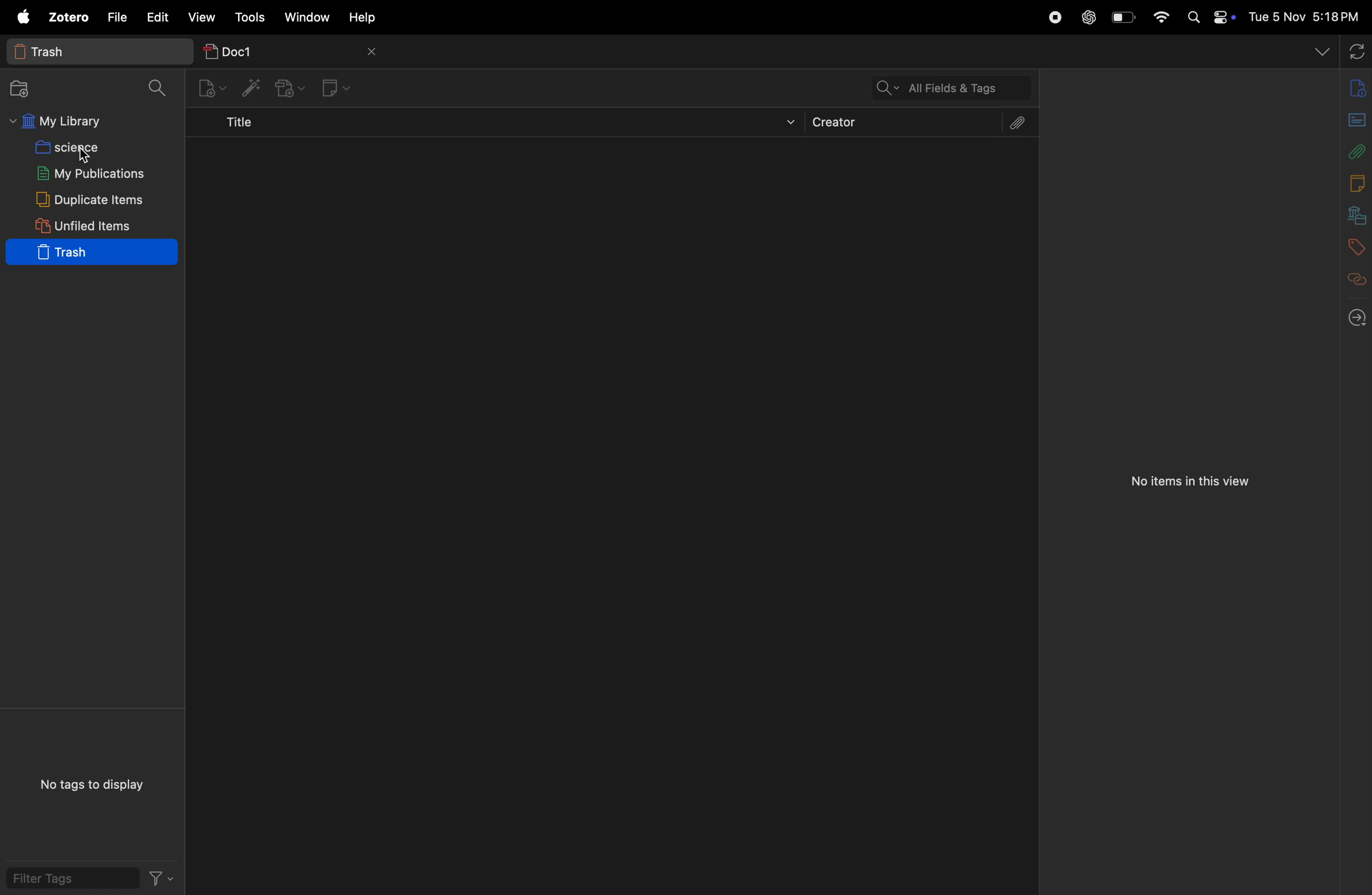 The width and height of the screenshot is (1372, 895). Describe the element at coordinates (84, 146) in the screenshot. I see `science` at that location.